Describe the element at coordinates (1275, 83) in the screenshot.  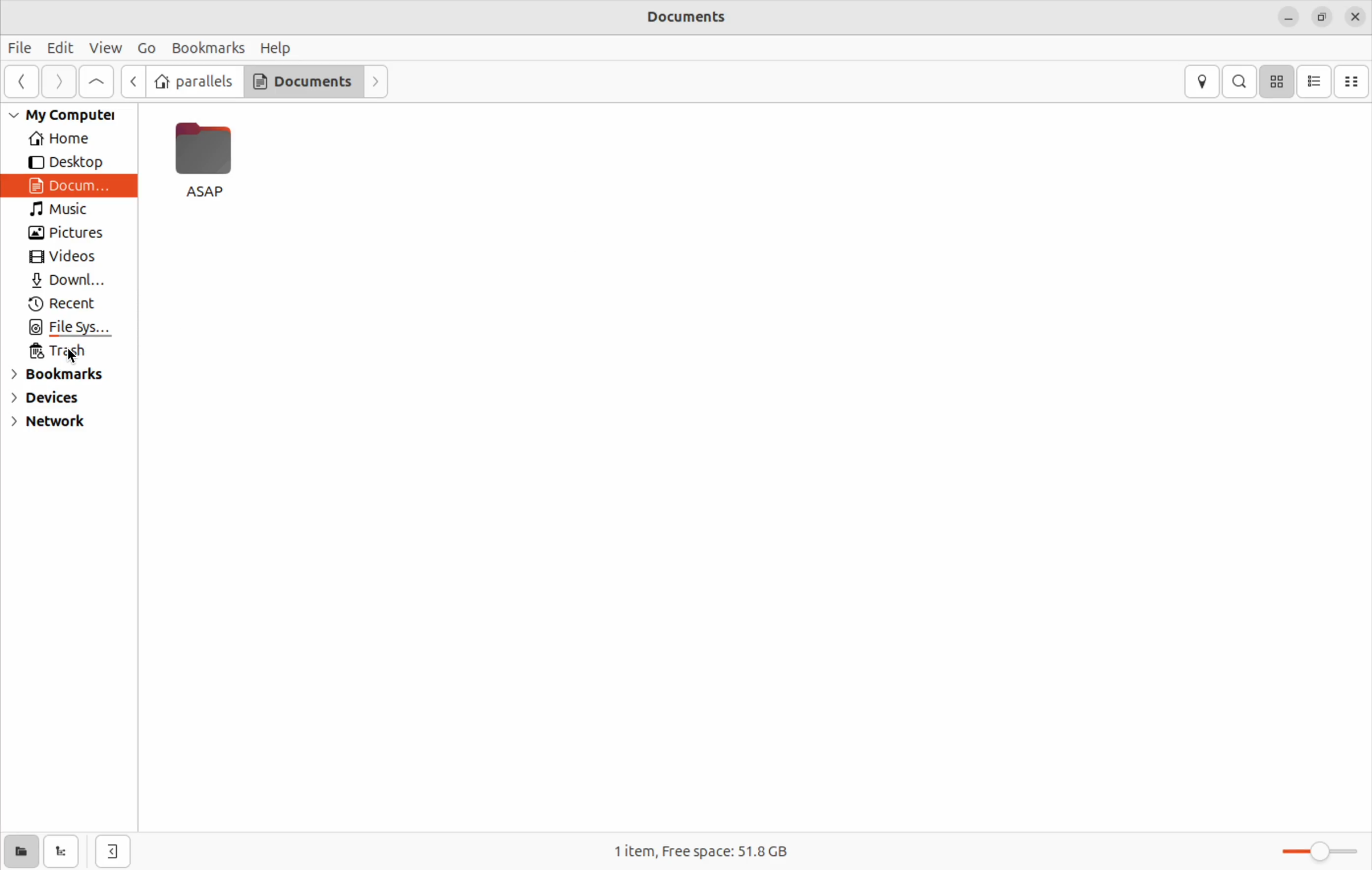
I see `icon view` at that location.